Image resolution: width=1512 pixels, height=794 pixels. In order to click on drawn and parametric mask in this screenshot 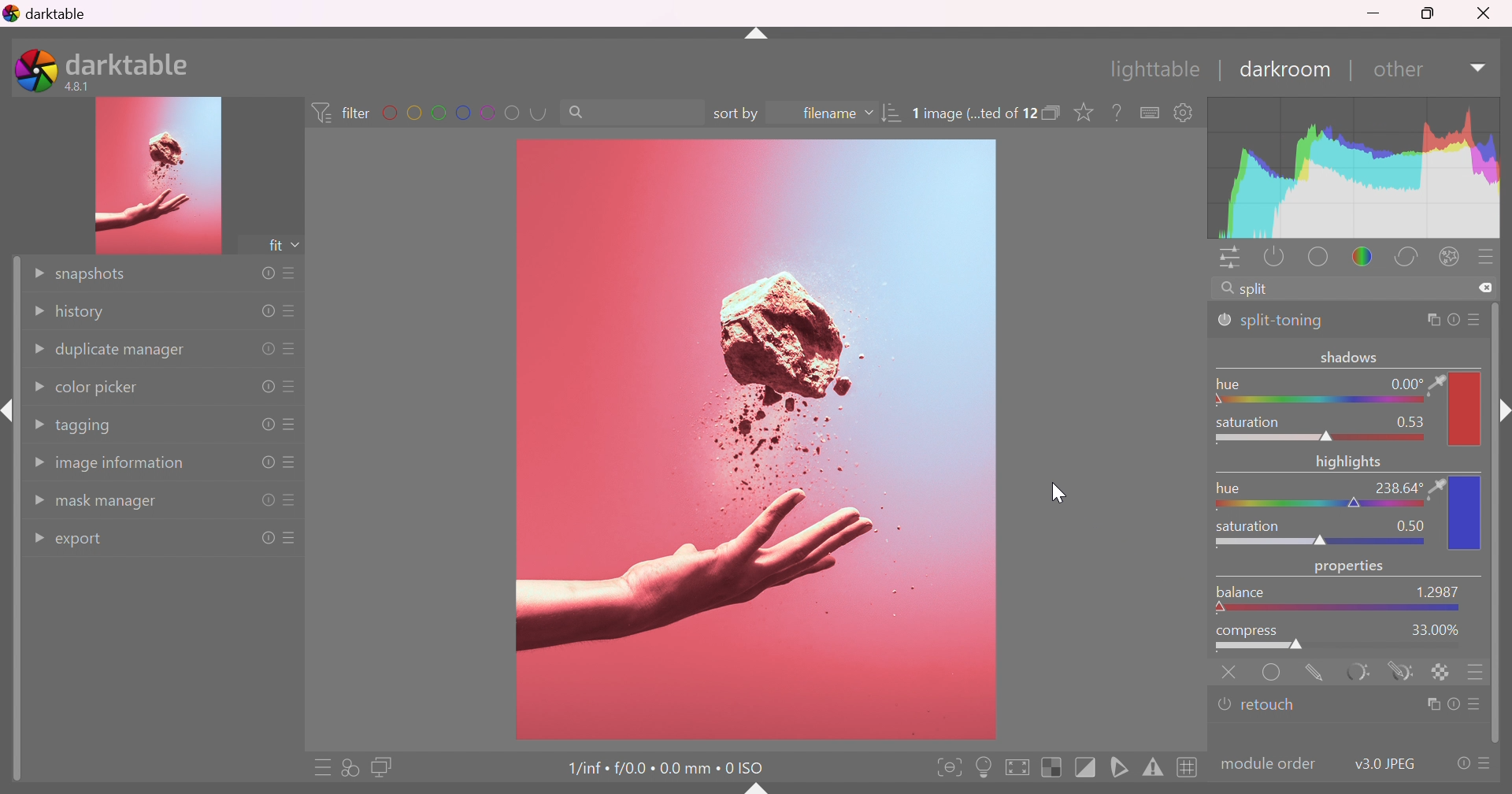, I will do `click(1401, 670)`.